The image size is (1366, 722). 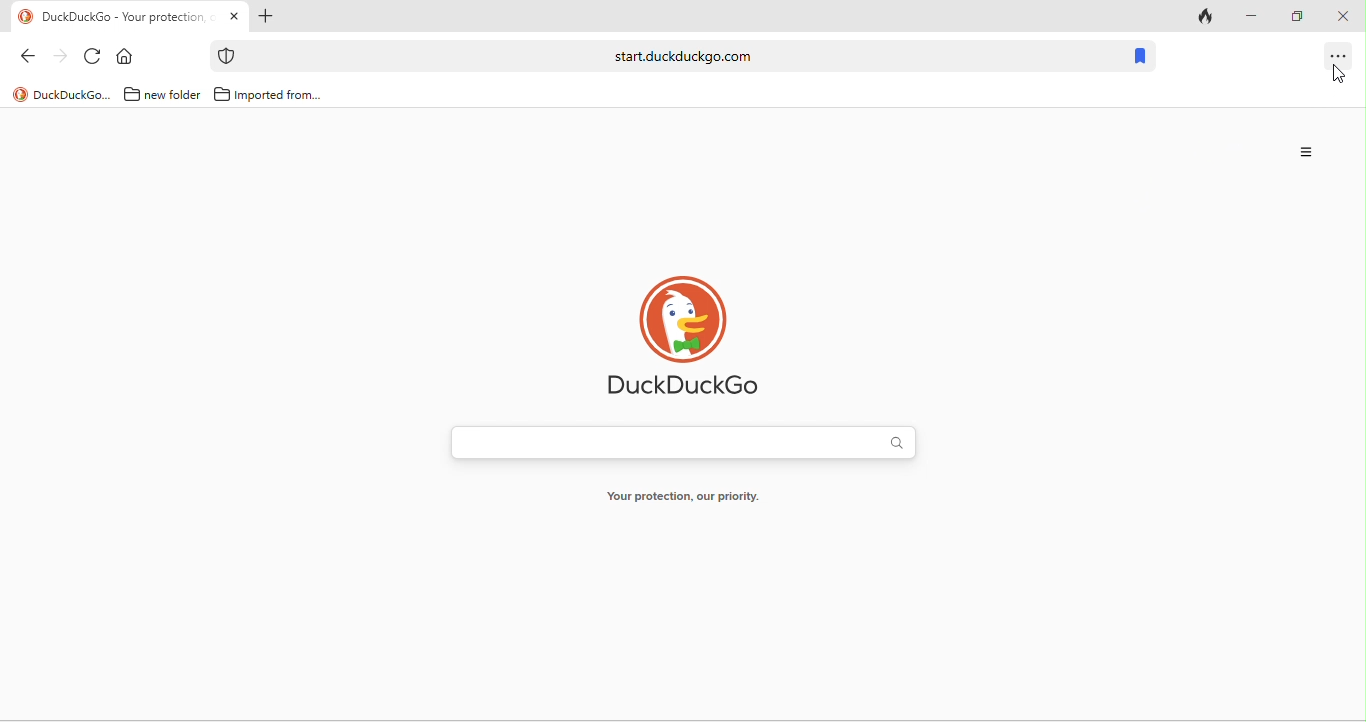 I want to click on maximize, so click(x=1299, y=14).